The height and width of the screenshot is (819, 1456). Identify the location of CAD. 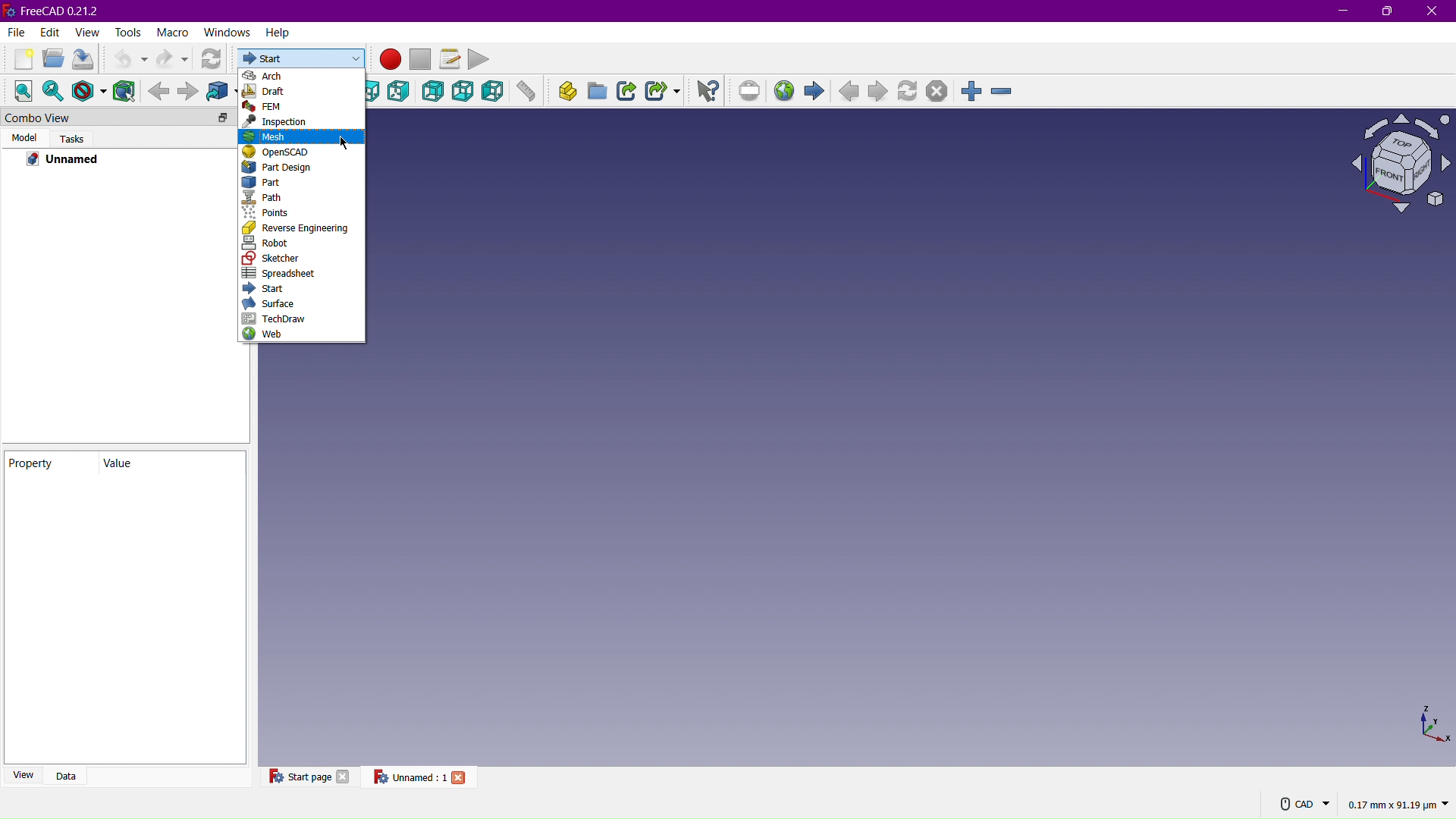
(1305, 803).